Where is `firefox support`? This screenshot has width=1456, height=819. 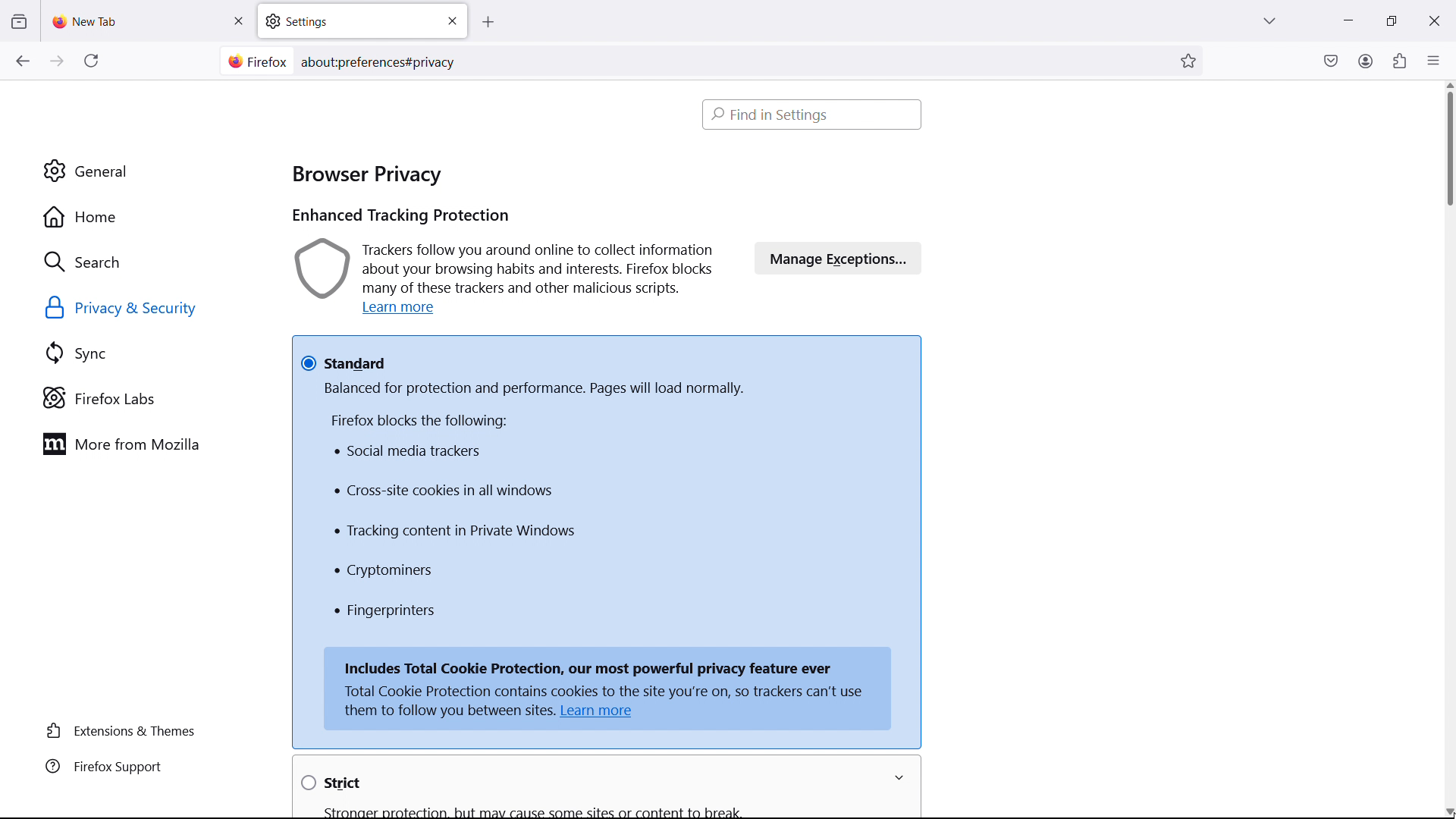 firefox support is located at coordinates (124, 767).